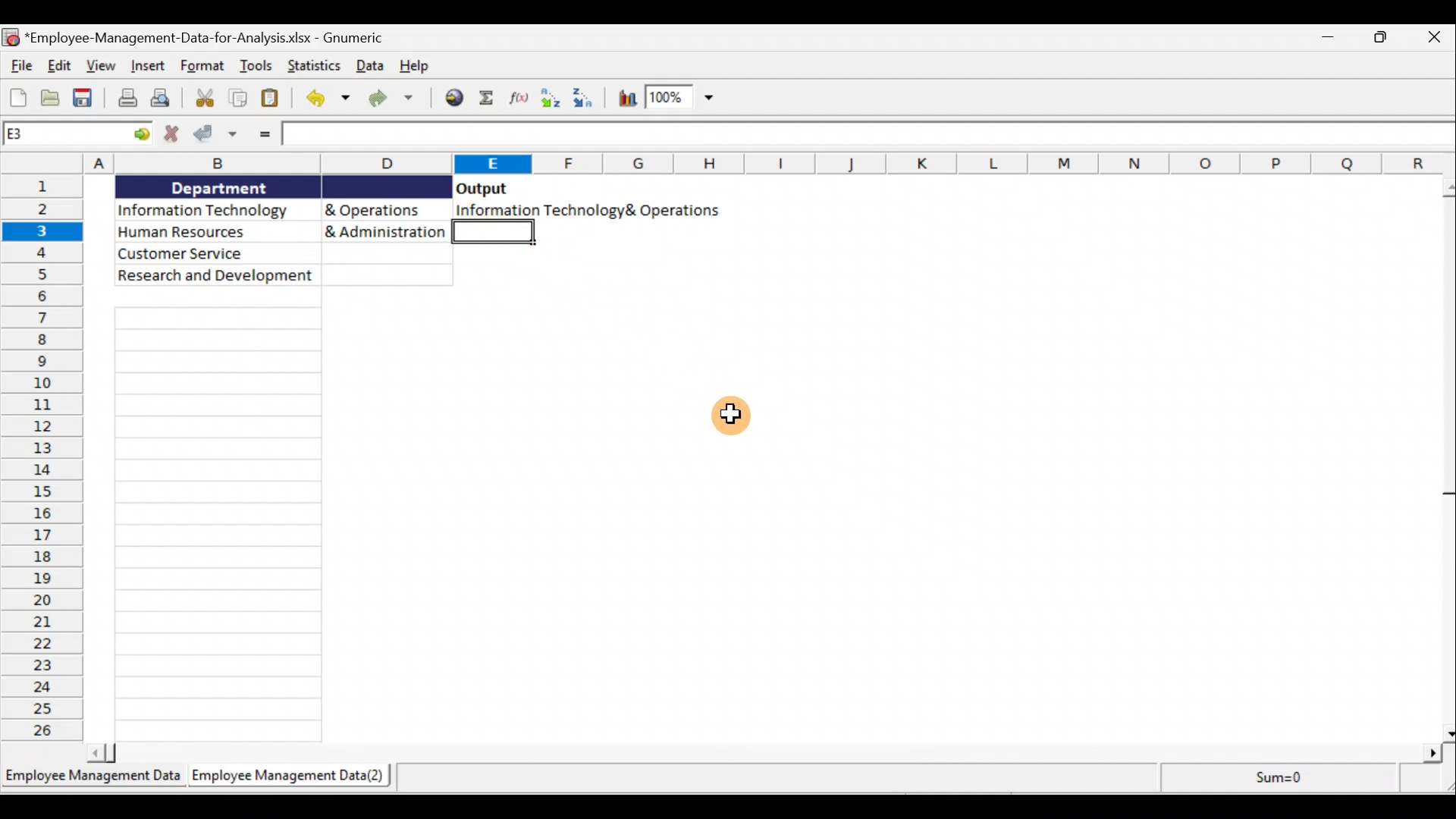 The height and width of the screenshot is (819, 1456). I want to click on Edit, so click(61, 66).